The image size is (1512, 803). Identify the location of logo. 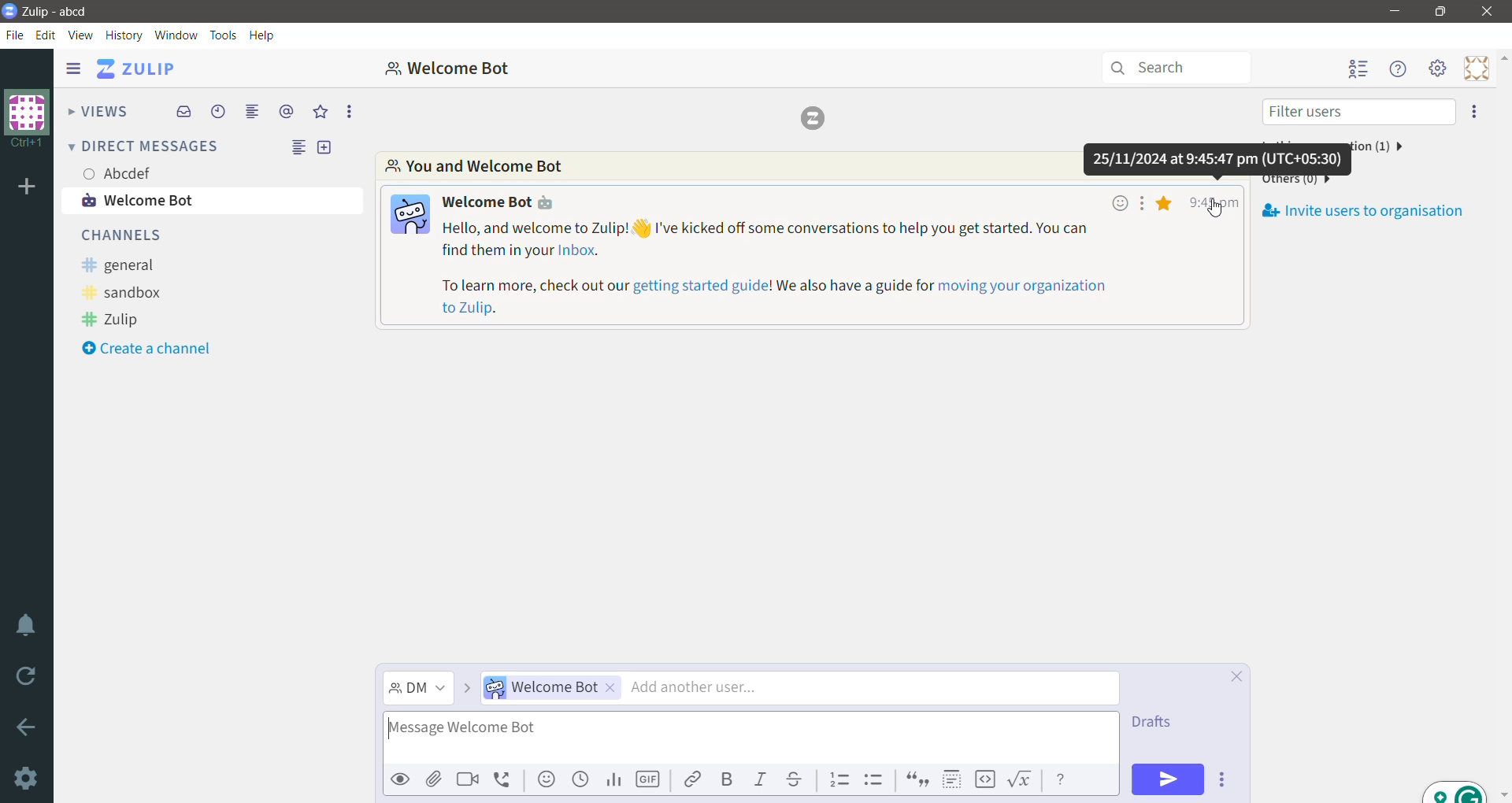
(814, 120).